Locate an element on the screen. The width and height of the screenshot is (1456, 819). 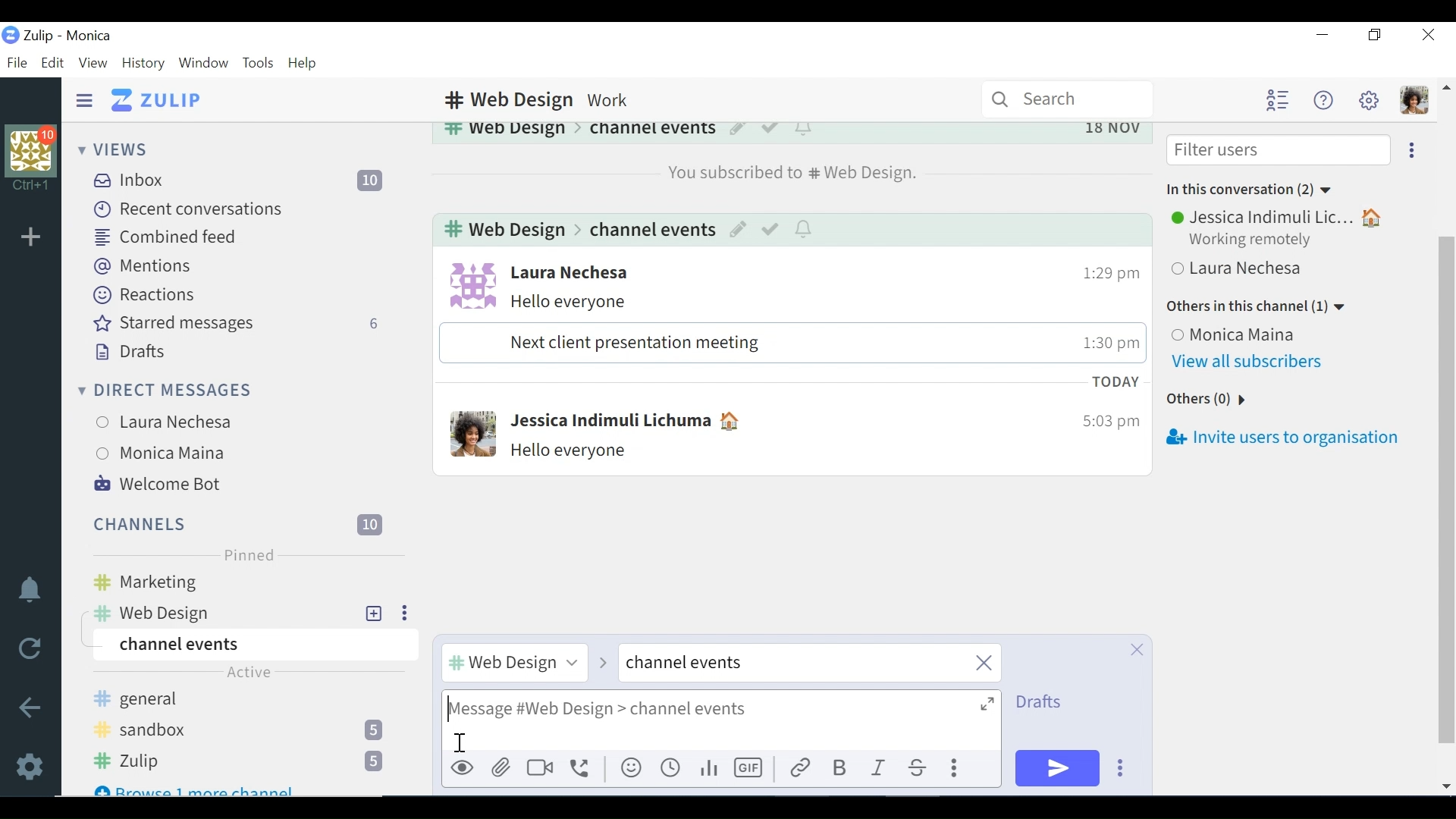
Time is located at coordinates (1112, 422).